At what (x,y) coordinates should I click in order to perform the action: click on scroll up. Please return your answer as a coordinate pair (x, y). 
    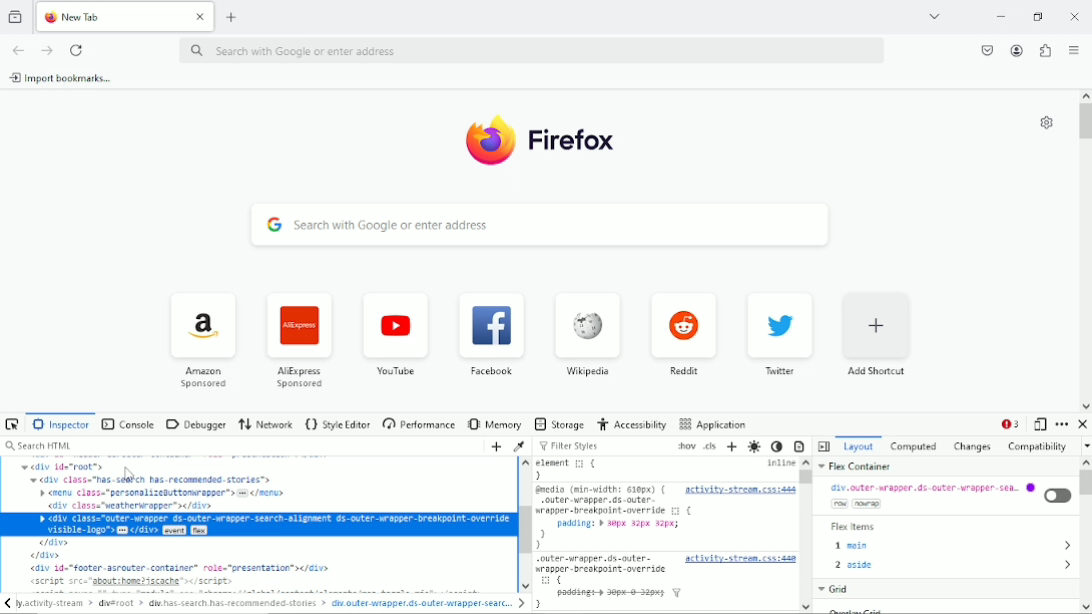
    Looking at the image, I should click on (806, 463).